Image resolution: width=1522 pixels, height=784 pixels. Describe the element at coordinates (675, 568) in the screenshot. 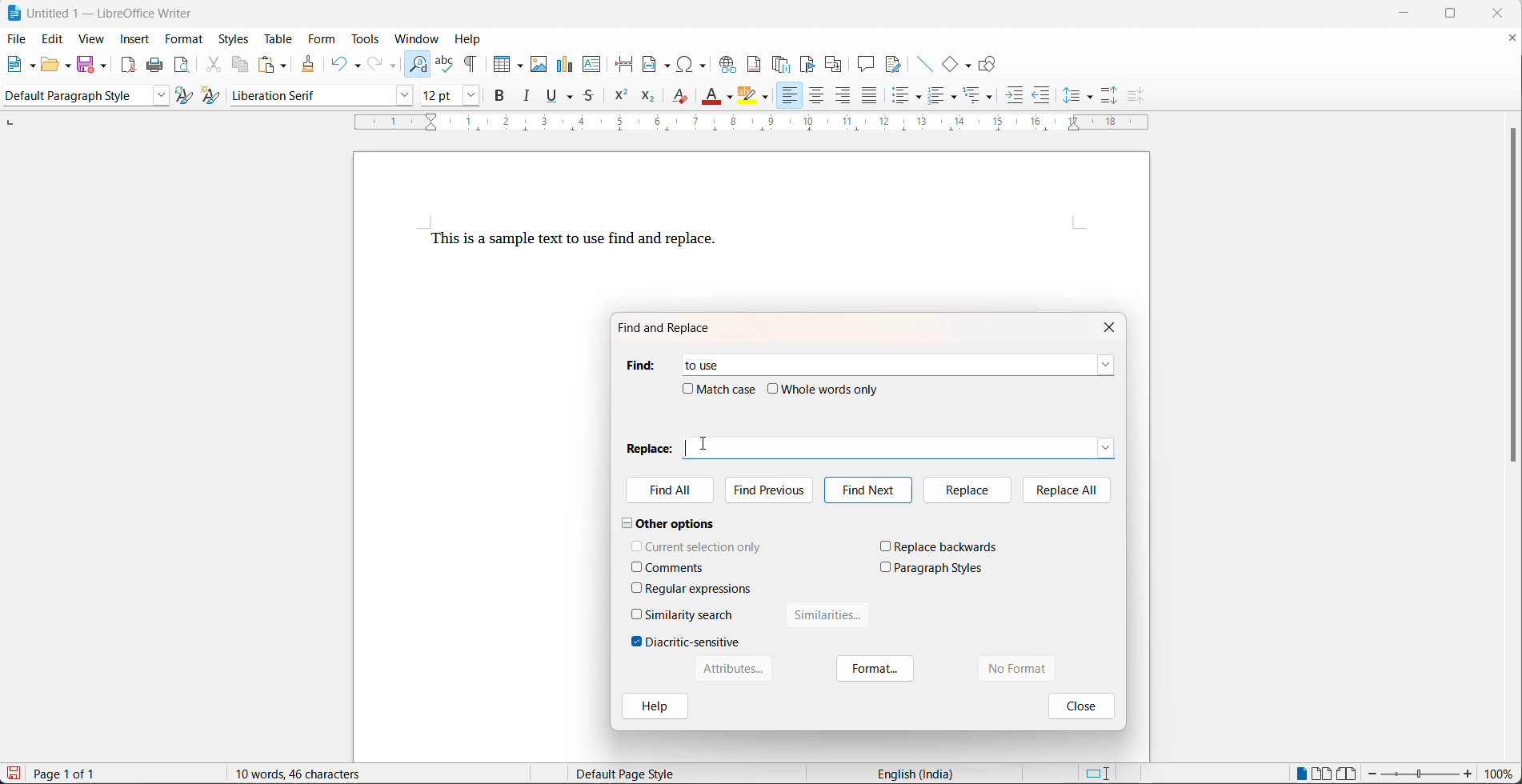

I see `comments` at that location.